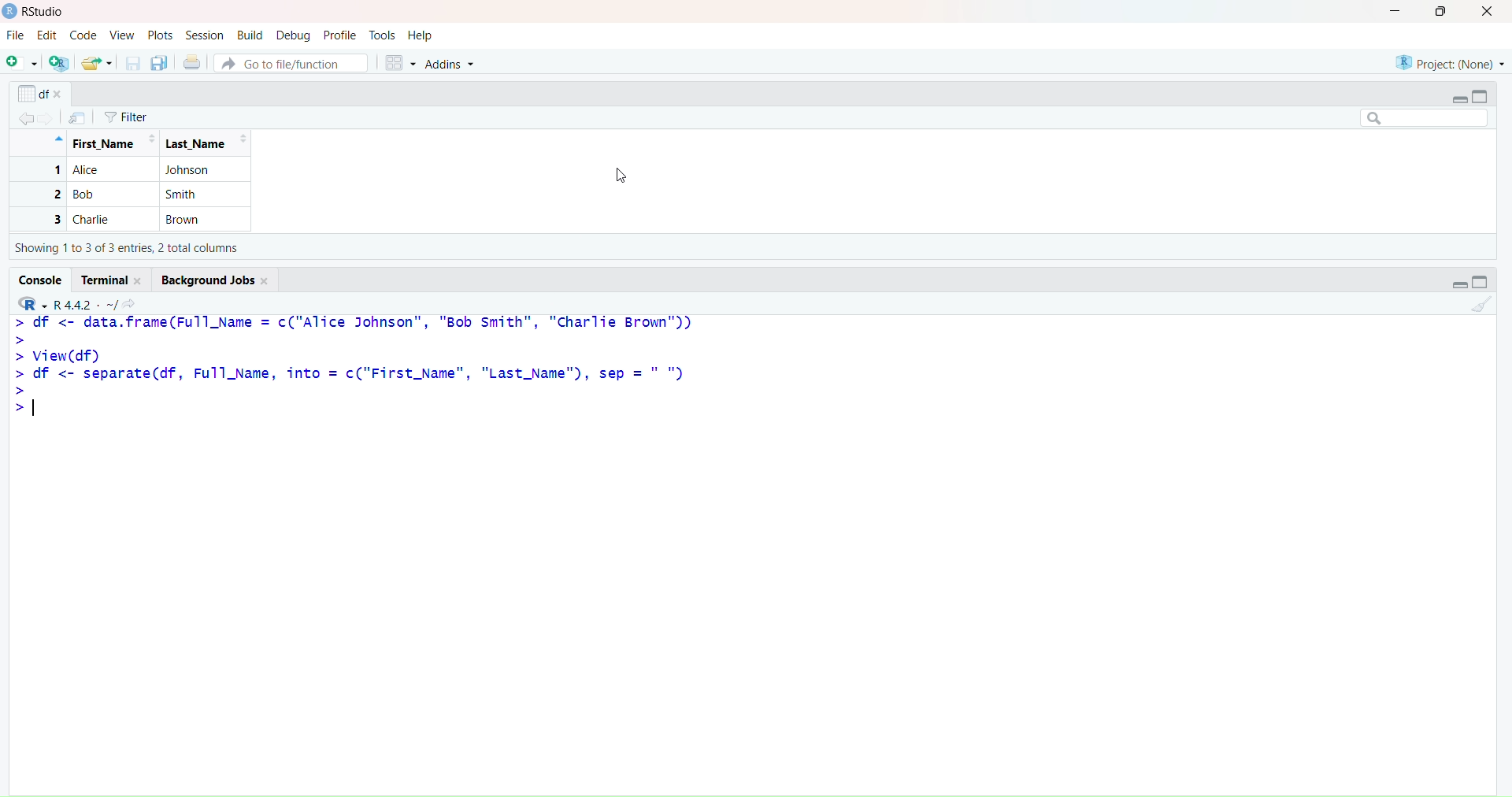 The height and width of the screenshot is (797, 1512). I want to click on Clear console (Ctrl + L), so click(1481, 306).